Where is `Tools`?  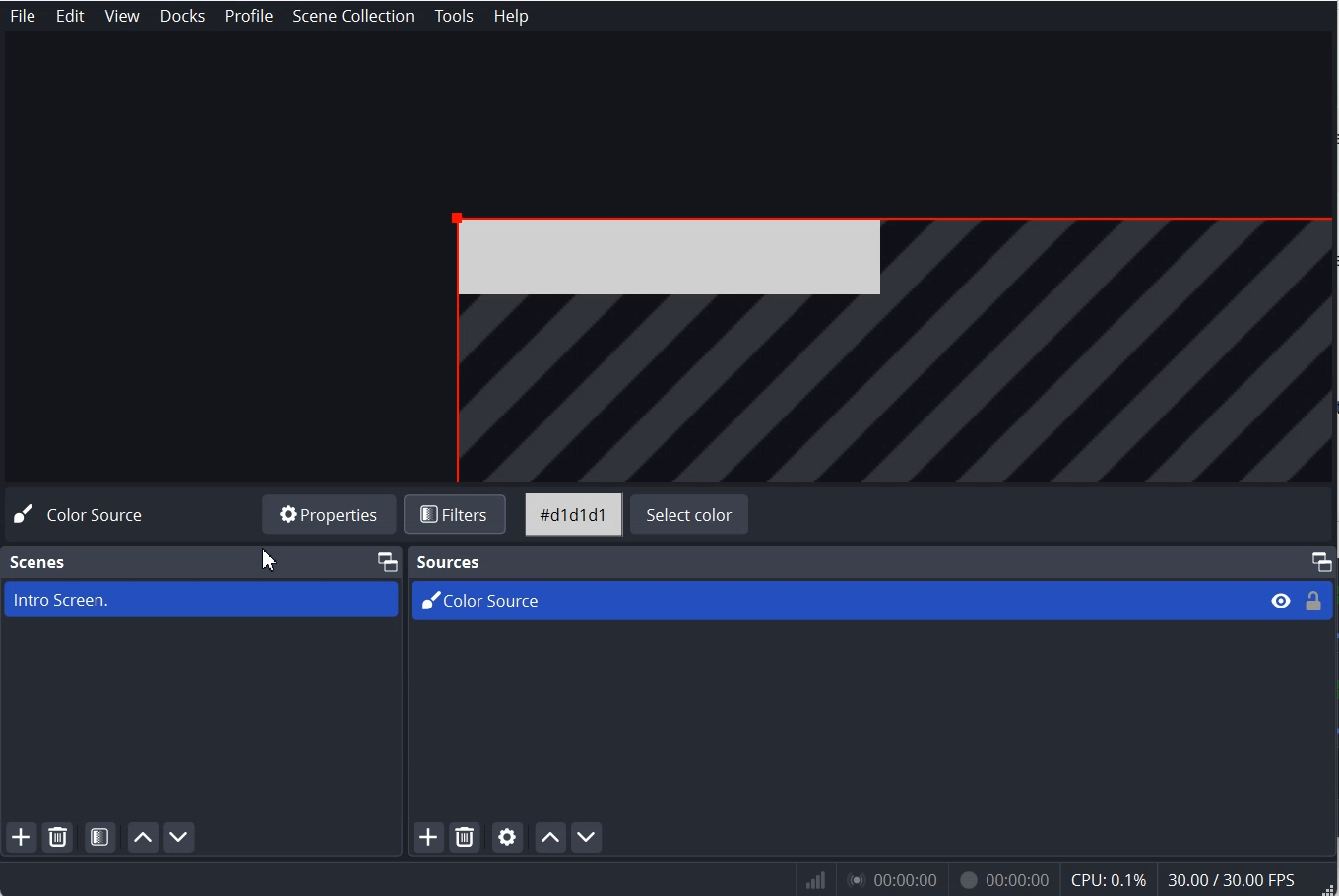 Tools is located at coordinates (454, 16).